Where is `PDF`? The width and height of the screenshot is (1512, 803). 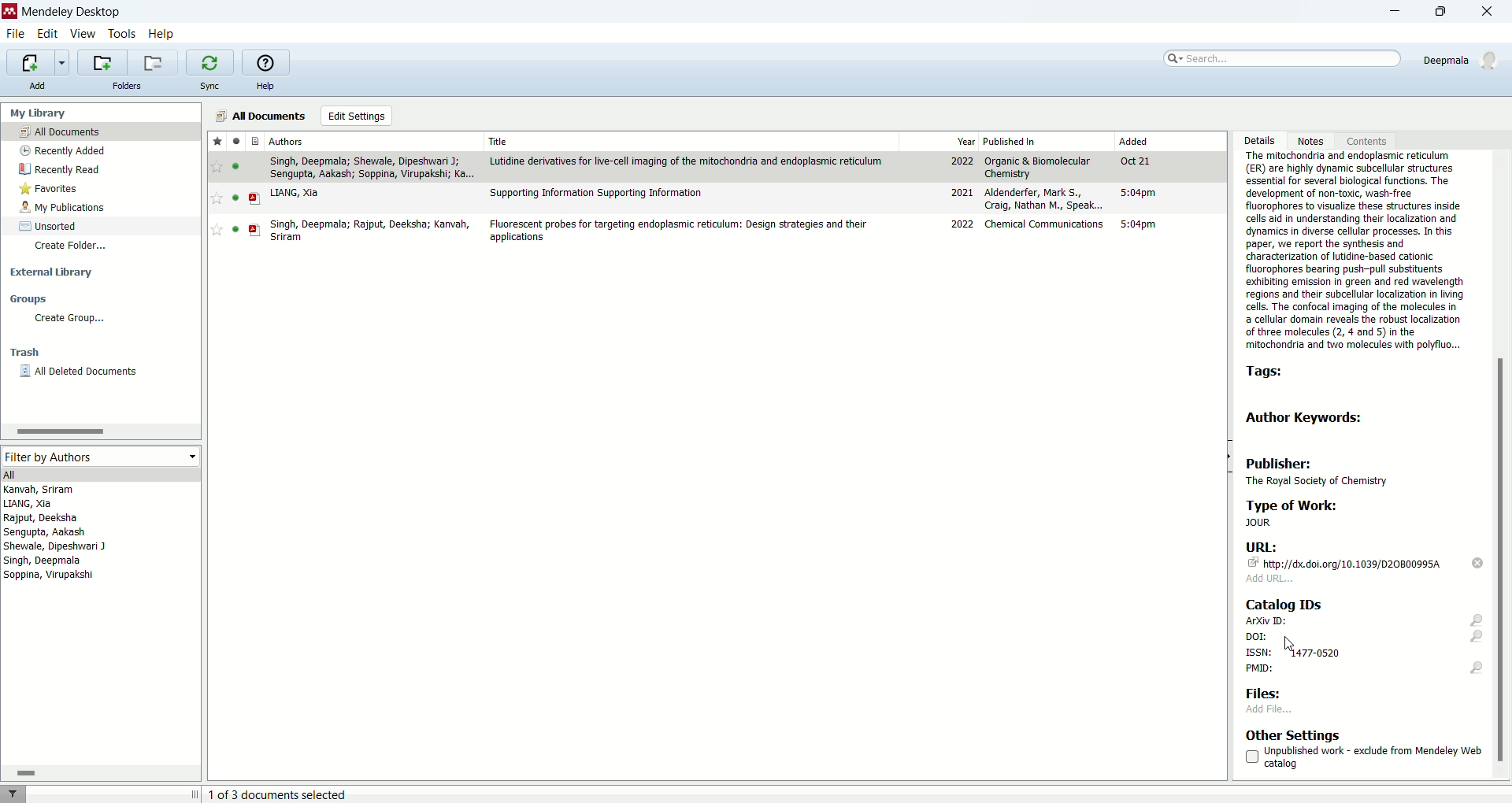 PDF is located at coordinates (255, 199).